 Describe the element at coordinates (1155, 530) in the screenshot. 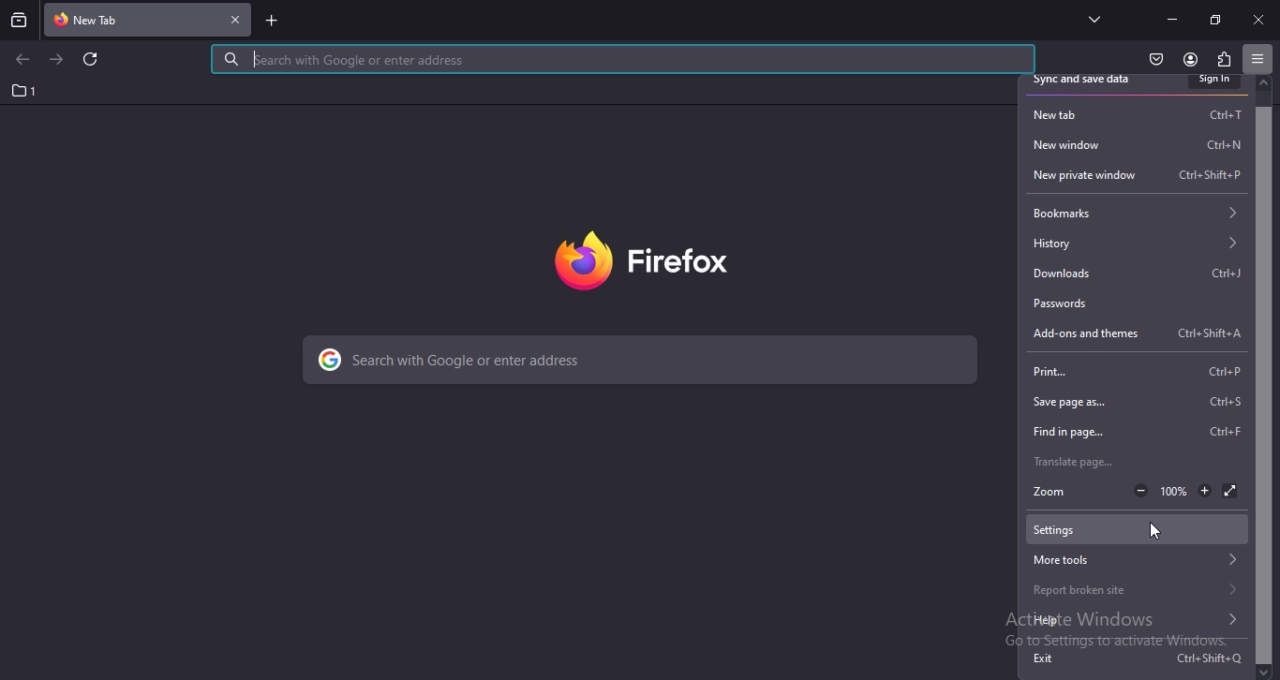

I see `cursor` at that location.